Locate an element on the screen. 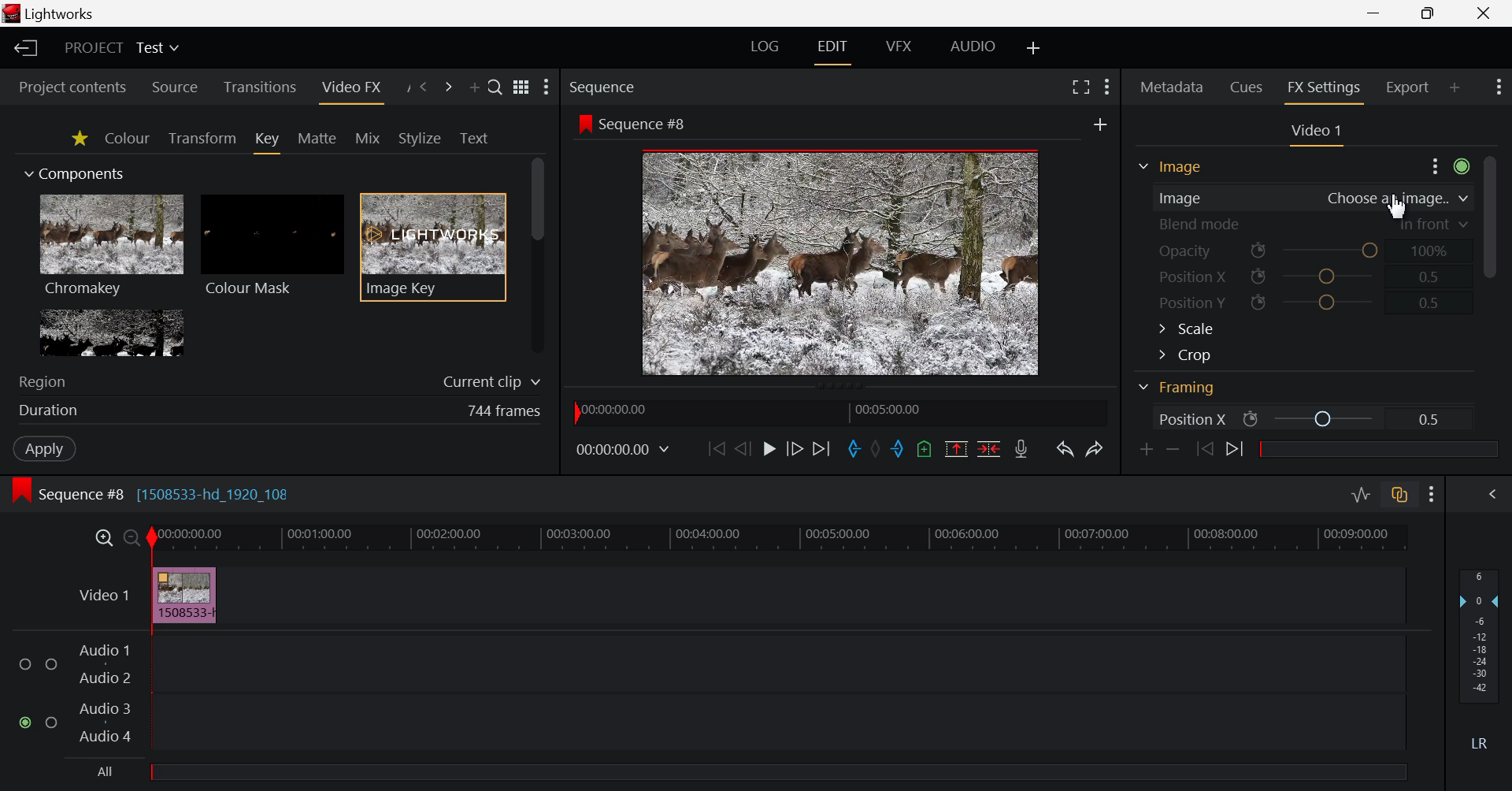  add is located at coordinates (1099, 126).